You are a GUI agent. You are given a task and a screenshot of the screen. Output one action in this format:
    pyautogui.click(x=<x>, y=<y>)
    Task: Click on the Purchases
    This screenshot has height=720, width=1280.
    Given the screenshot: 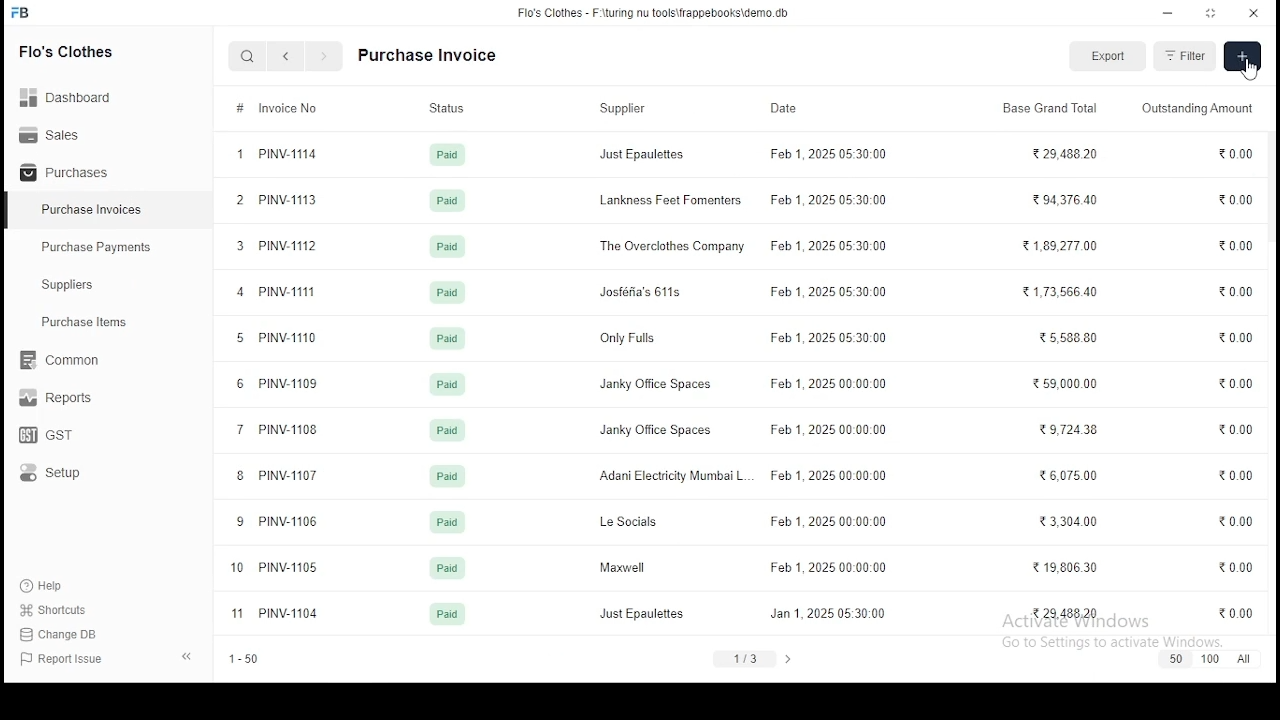 What is the action you would take?
    pyautogui.click(x=65, y=173)
    